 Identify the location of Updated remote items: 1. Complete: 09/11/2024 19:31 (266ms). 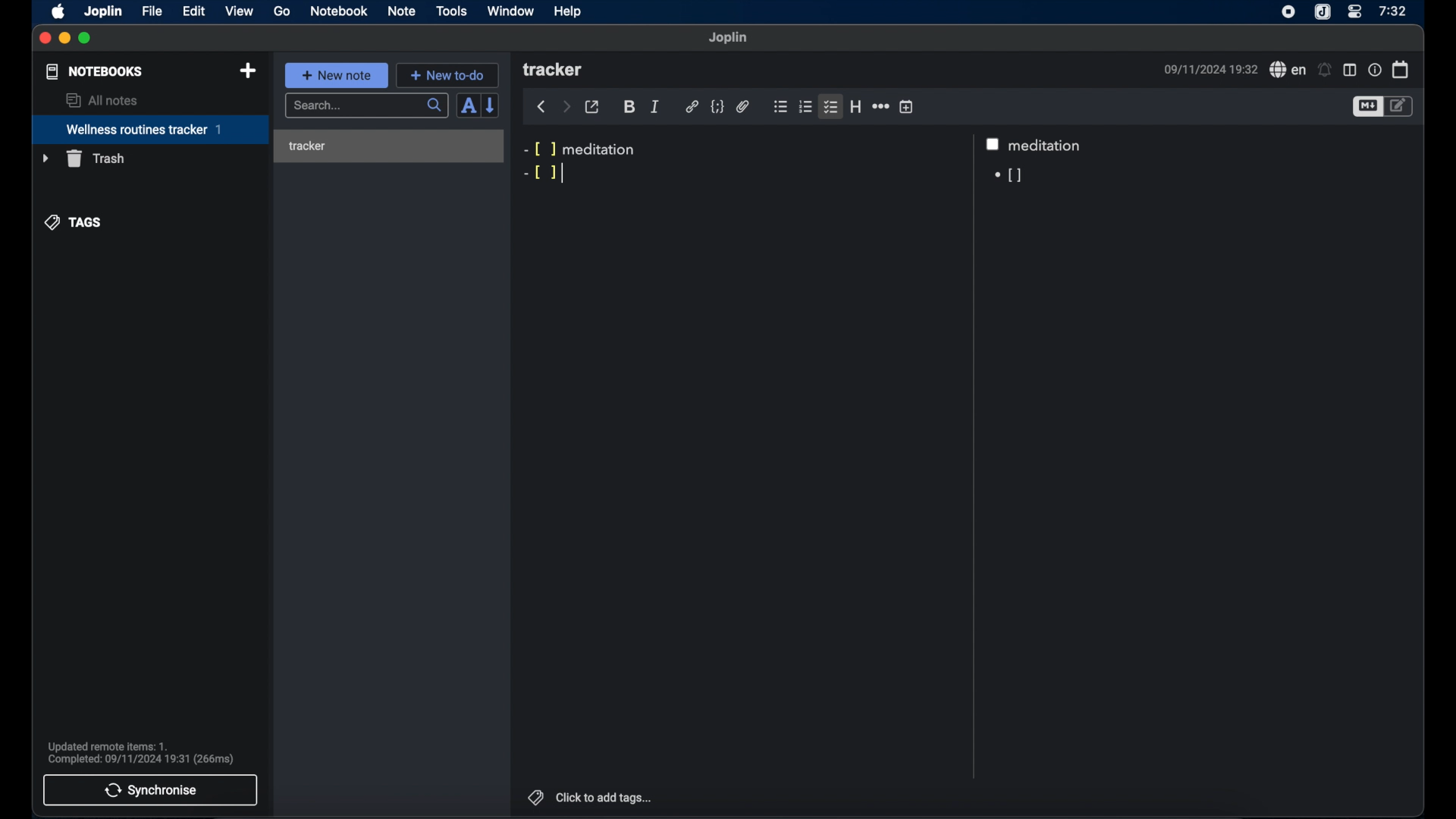
(147, 751).